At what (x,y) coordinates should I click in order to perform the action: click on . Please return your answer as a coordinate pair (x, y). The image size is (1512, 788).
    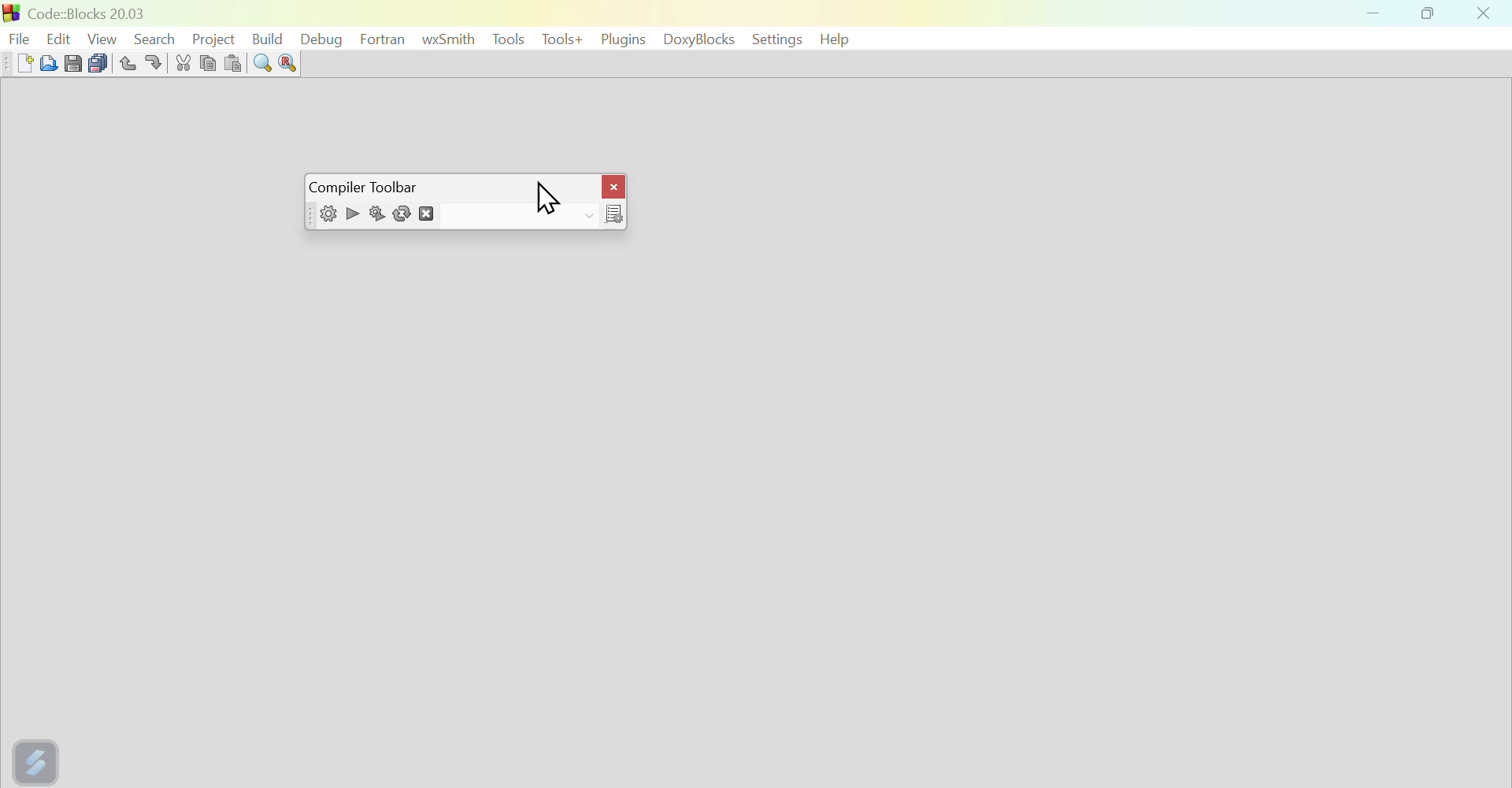
    Looking at the image, I should click on (508, 39).